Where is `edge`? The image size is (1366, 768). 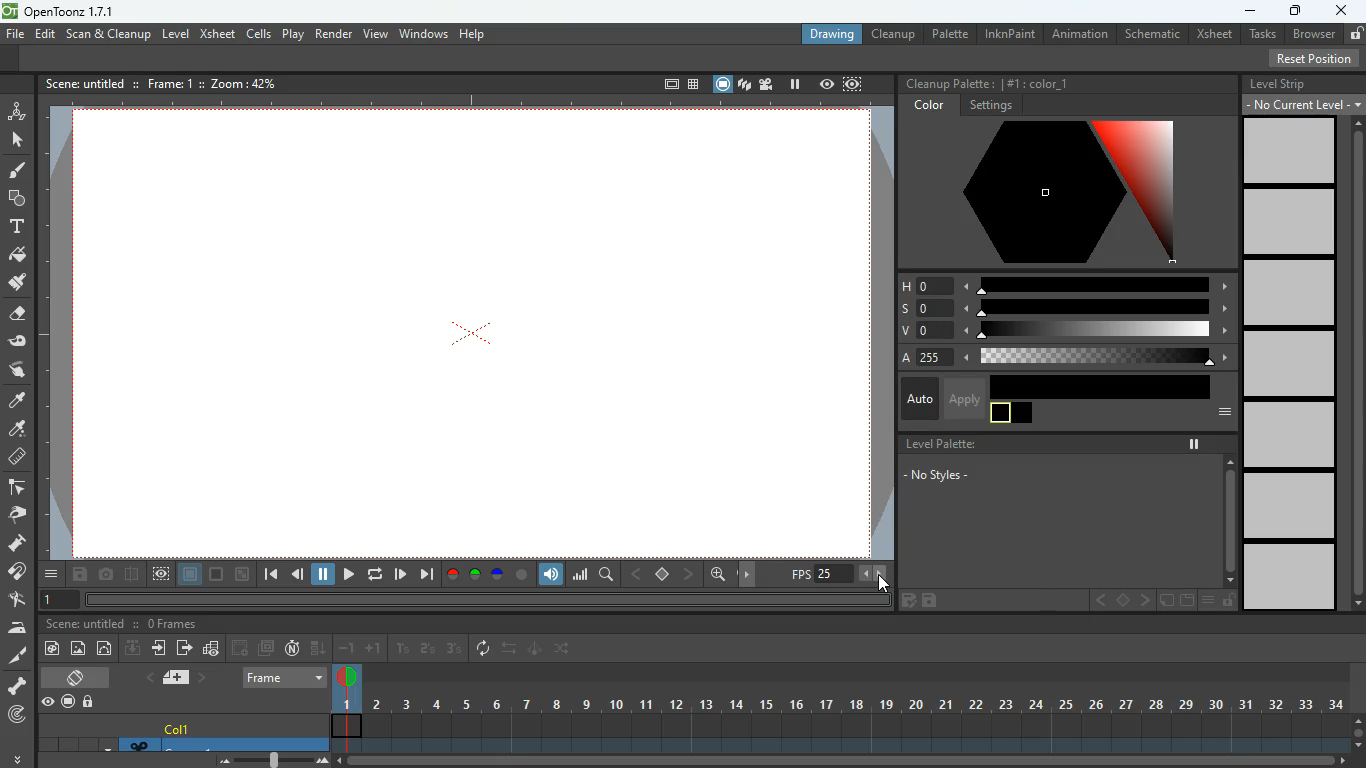
edge is located at coordinates (15, 489).